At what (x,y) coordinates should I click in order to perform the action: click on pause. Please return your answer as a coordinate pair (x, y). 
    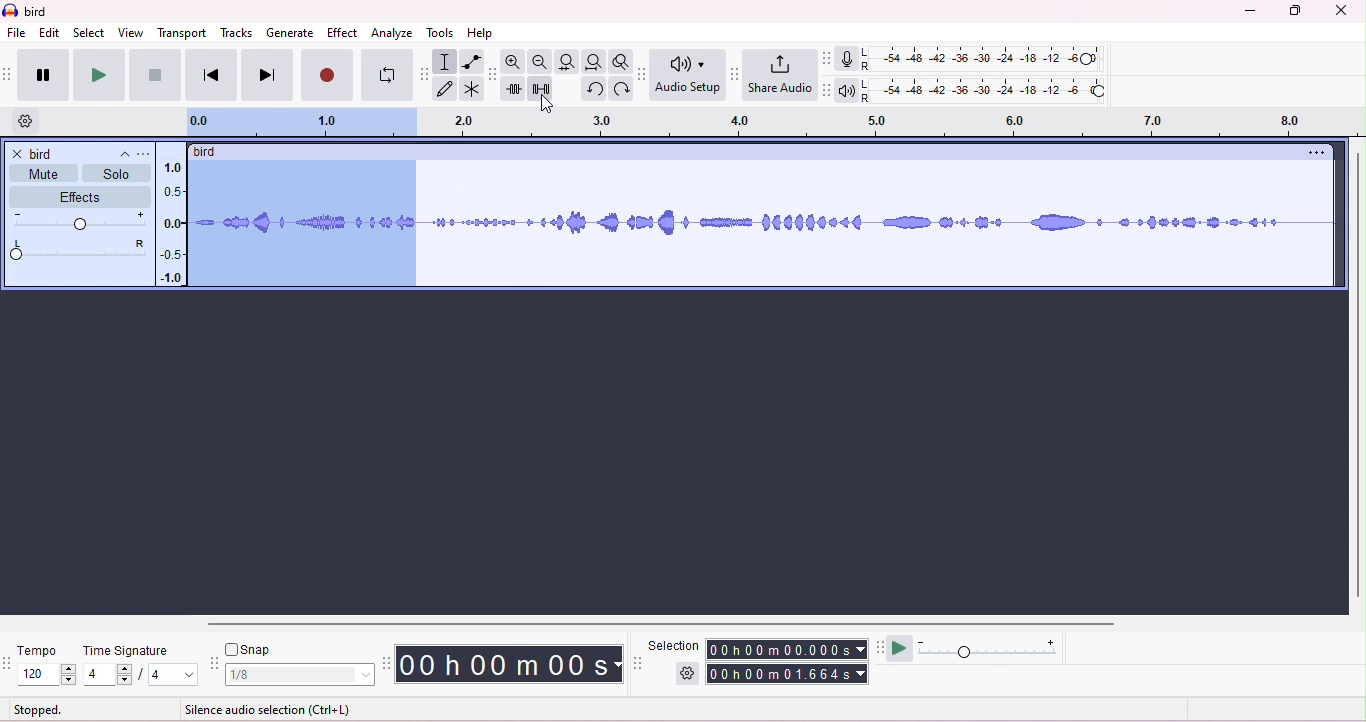
    Looking at the image, I should click on (44, 75).